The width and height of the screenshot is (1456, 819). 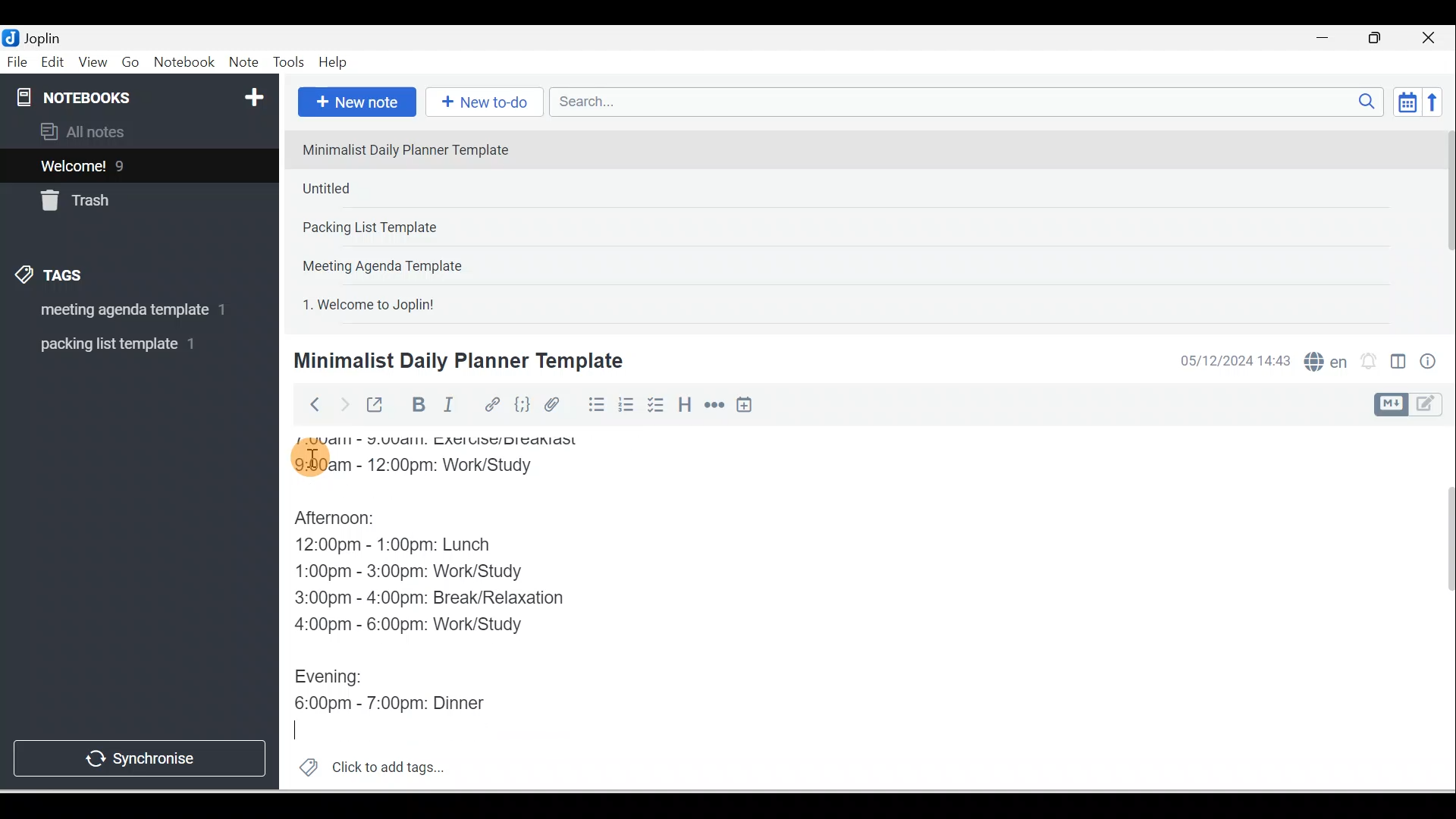 What do you see at coordinates (684, 403) in the screenshot?
I see `Heading` at bounding box center [684, 403].